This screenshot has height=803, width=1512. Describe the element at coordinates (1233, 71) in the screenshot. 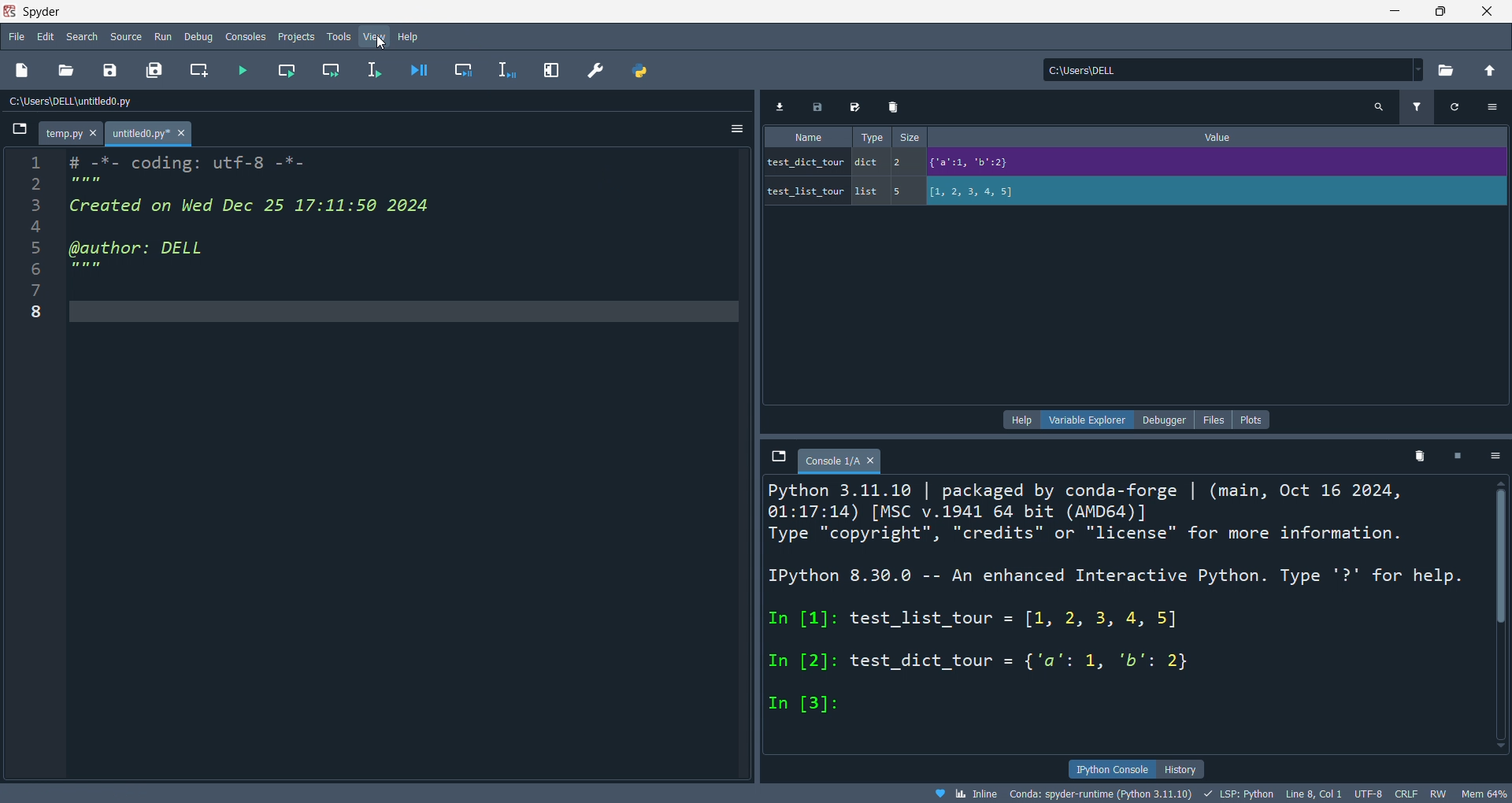

I see `current directory` at that location.